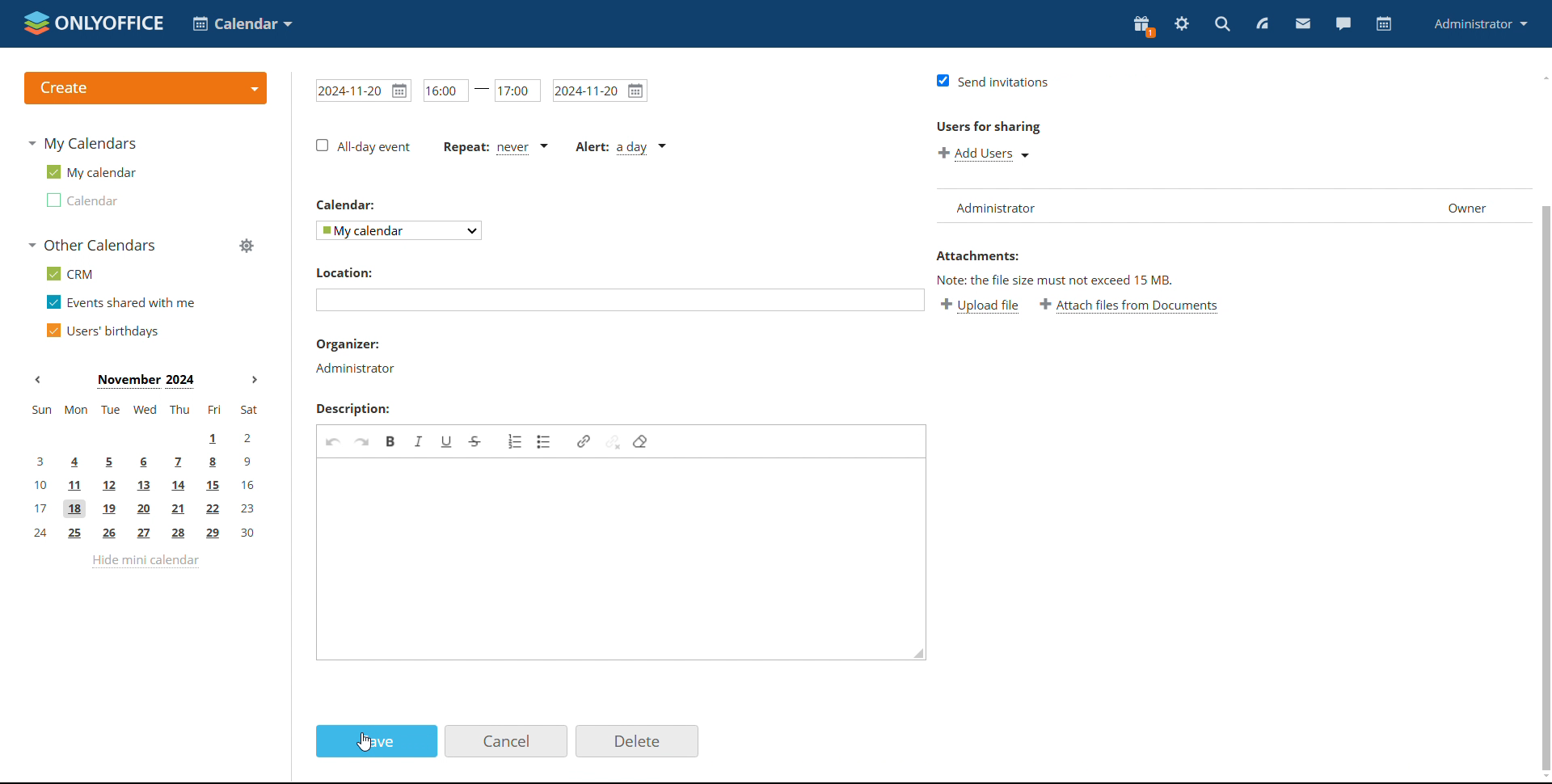  Describe the element at coordinates (146, 381) in the screenshot. I see `Month on display` at that location.